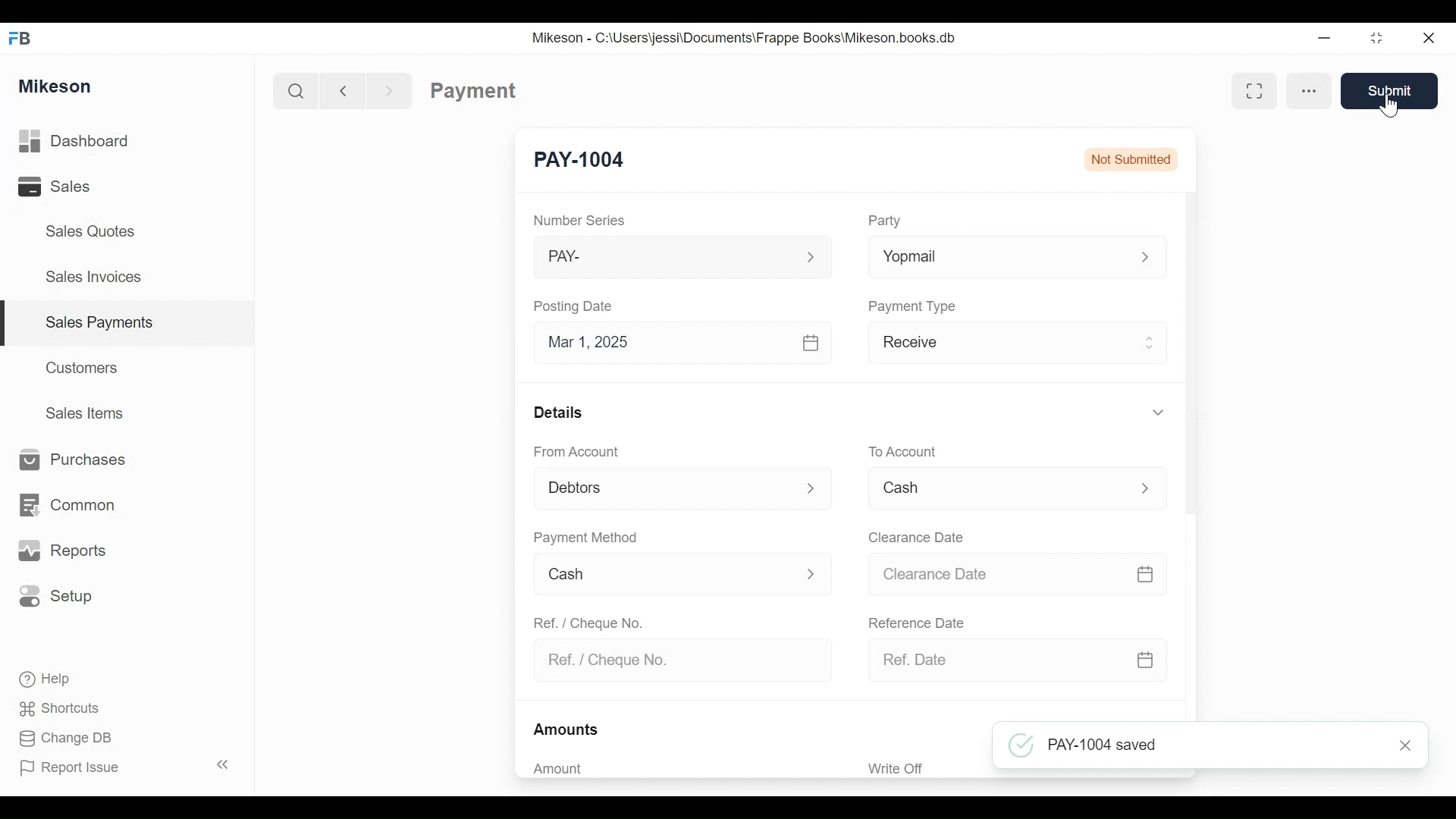  What do you see at coordinates (1157, 410) in the screenshot?
I see `Hide` at bounding box center [1157, 410].